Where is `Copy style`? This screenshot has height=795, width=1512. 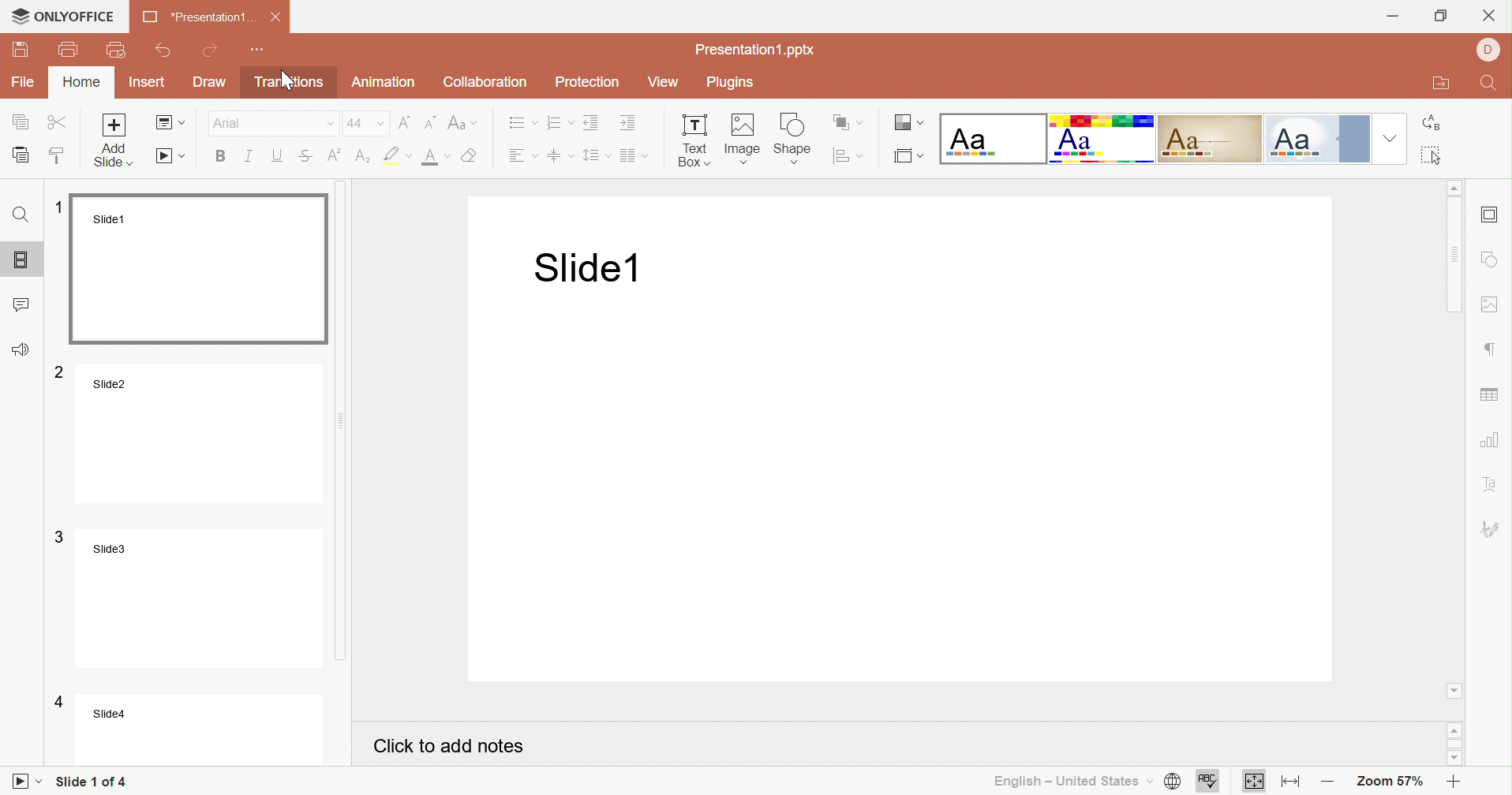 Copy style is located at coordinates (60, 157).